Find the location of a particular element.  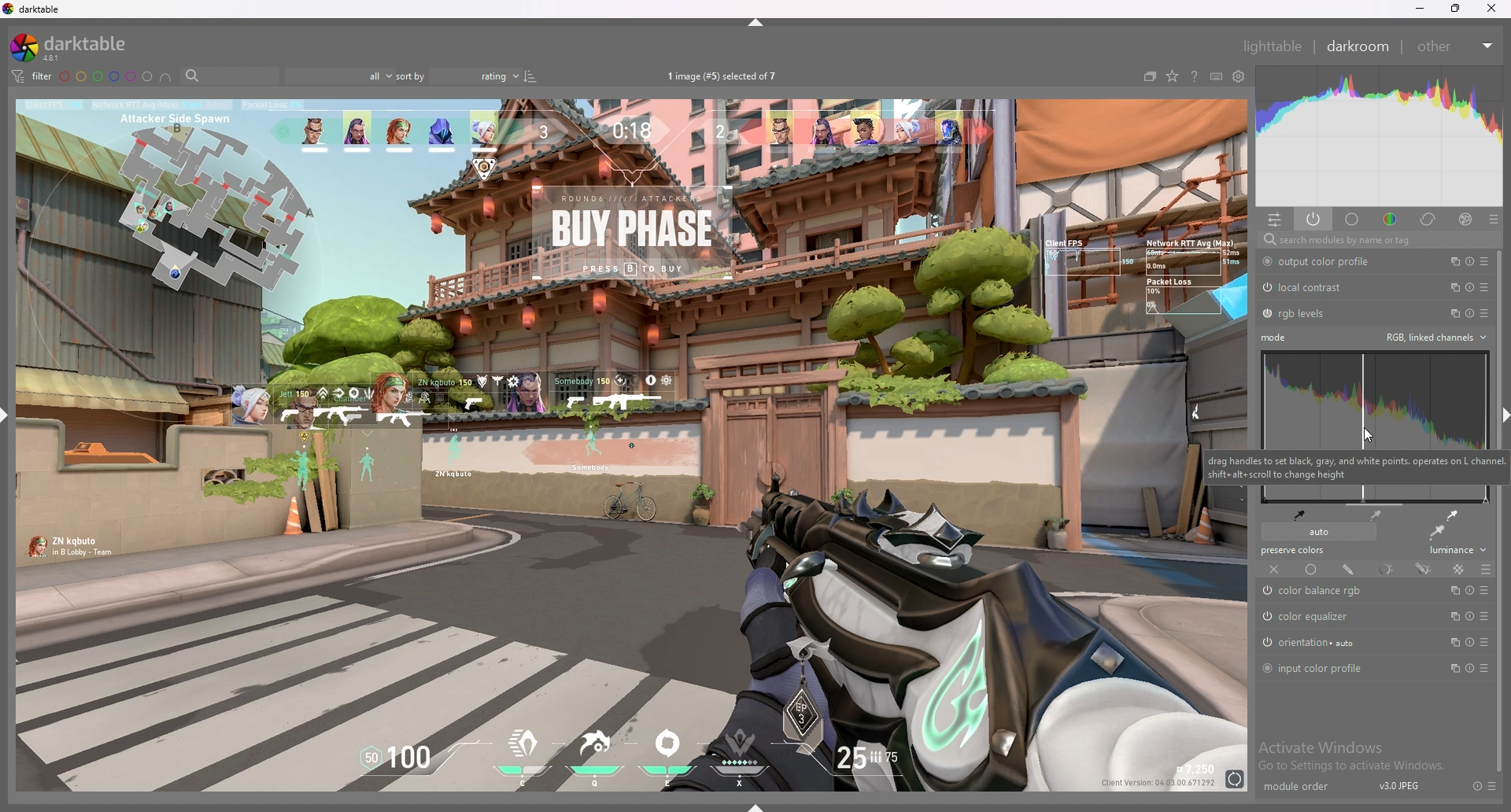

switched on is located at coordinates (1270, 592).